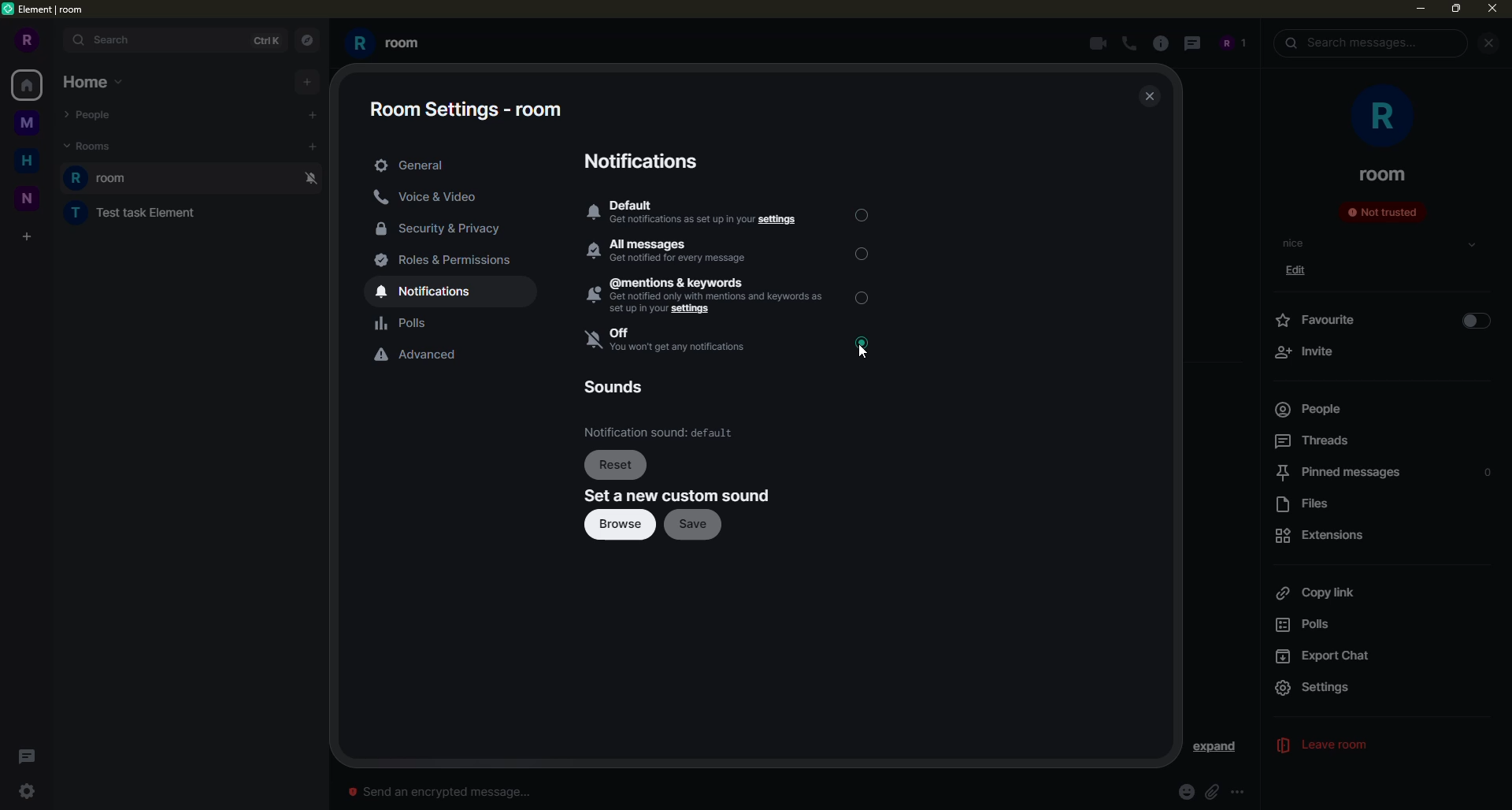 This screenshot has height=810, width=1512. What do you see at coordinates (1476, 321) in the screenshot?
I see `enable` at bounding box center [1476, 321].